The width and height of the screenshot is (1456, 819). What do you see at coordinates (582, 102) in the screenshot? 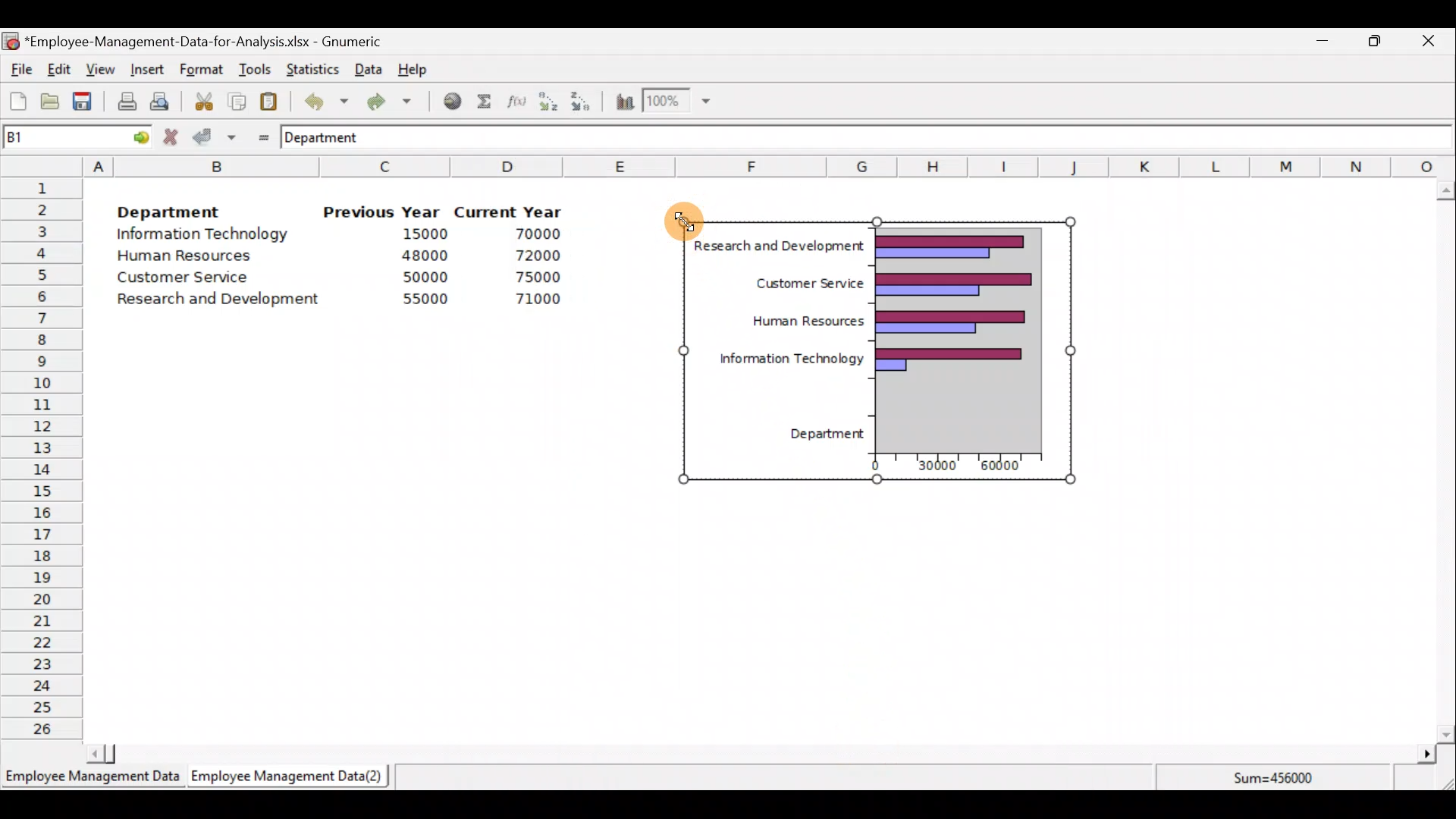
I see `Sort in descending order` at bounding box center [582, 102].